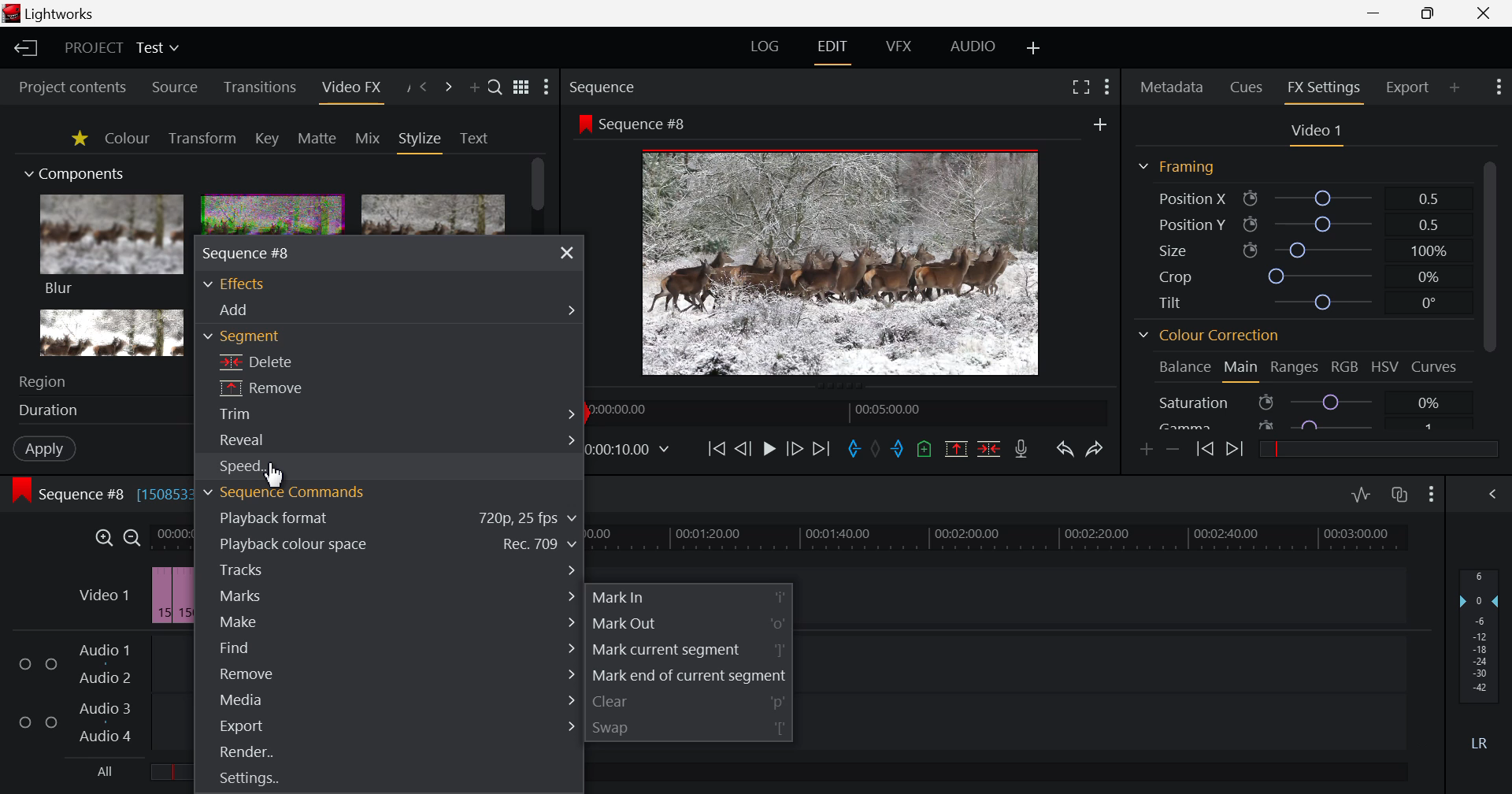 The image size is (1512, 794). I want to click on Export, so click(391, 725).